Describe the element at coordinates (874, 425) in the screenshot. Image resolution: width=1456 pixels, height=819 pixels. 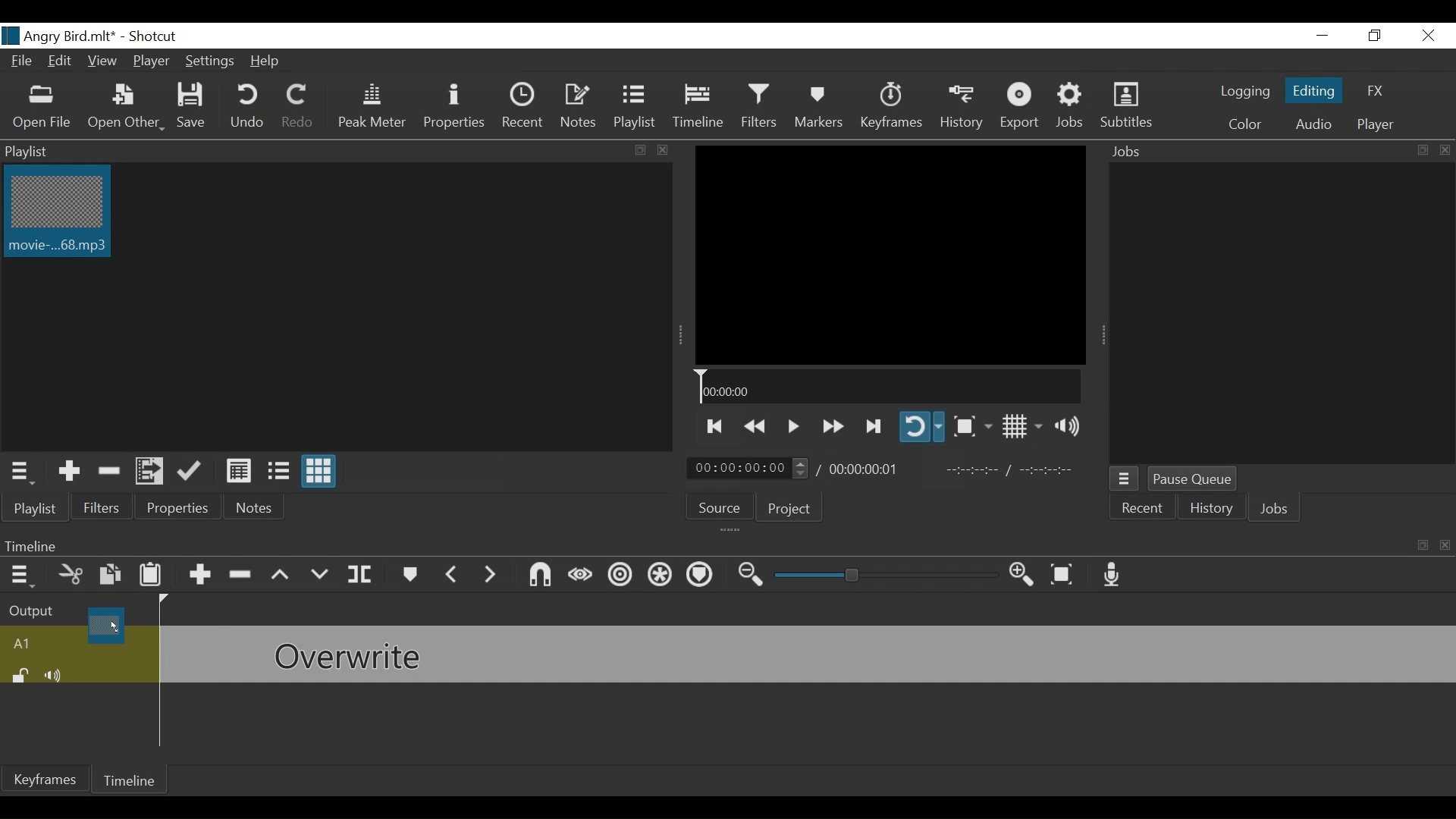
I see `Play forward quickly` at that location.